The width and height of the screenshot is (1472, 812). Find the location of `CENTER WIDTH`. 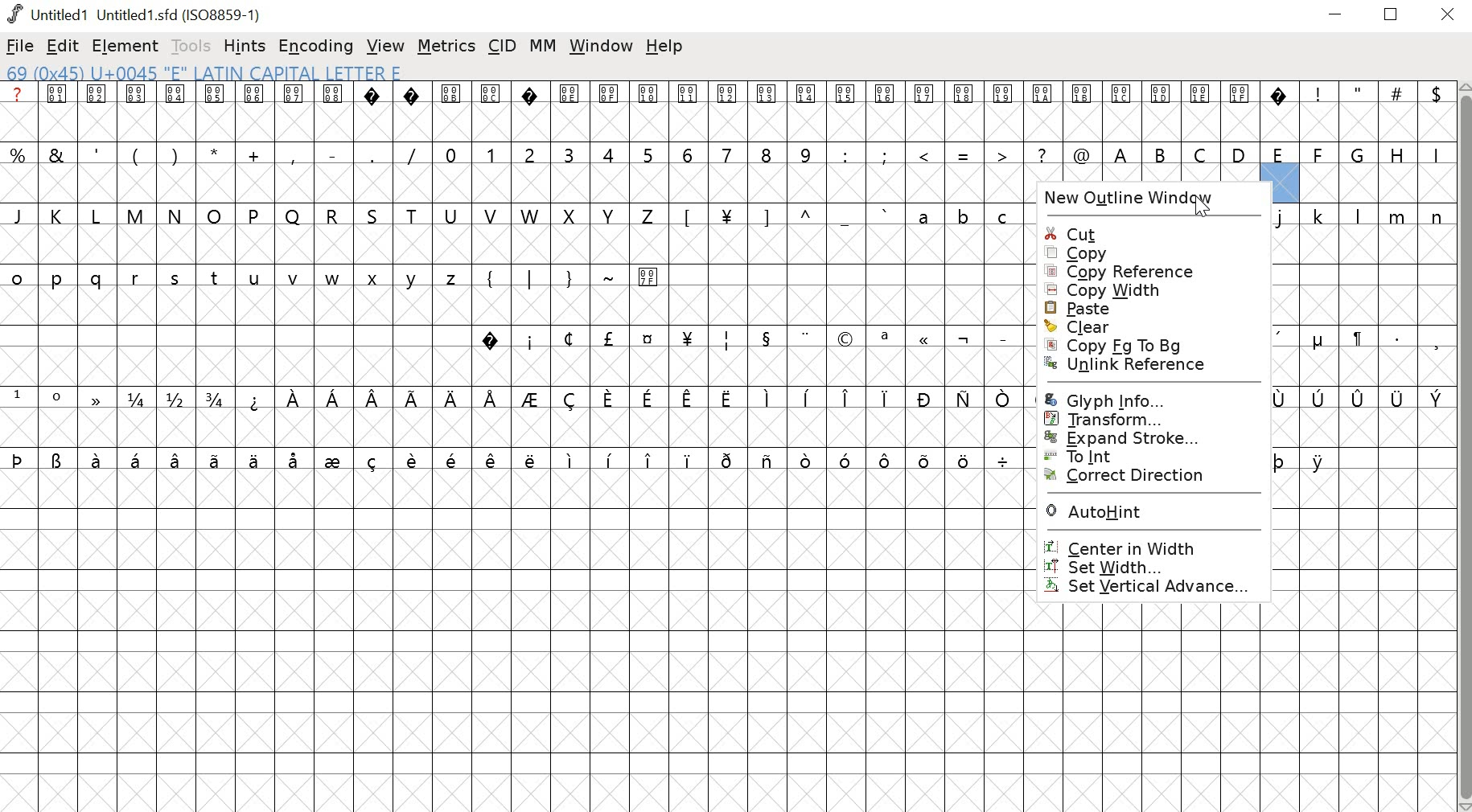

CENTER WIDTH is located at coordinates (1133, 545).